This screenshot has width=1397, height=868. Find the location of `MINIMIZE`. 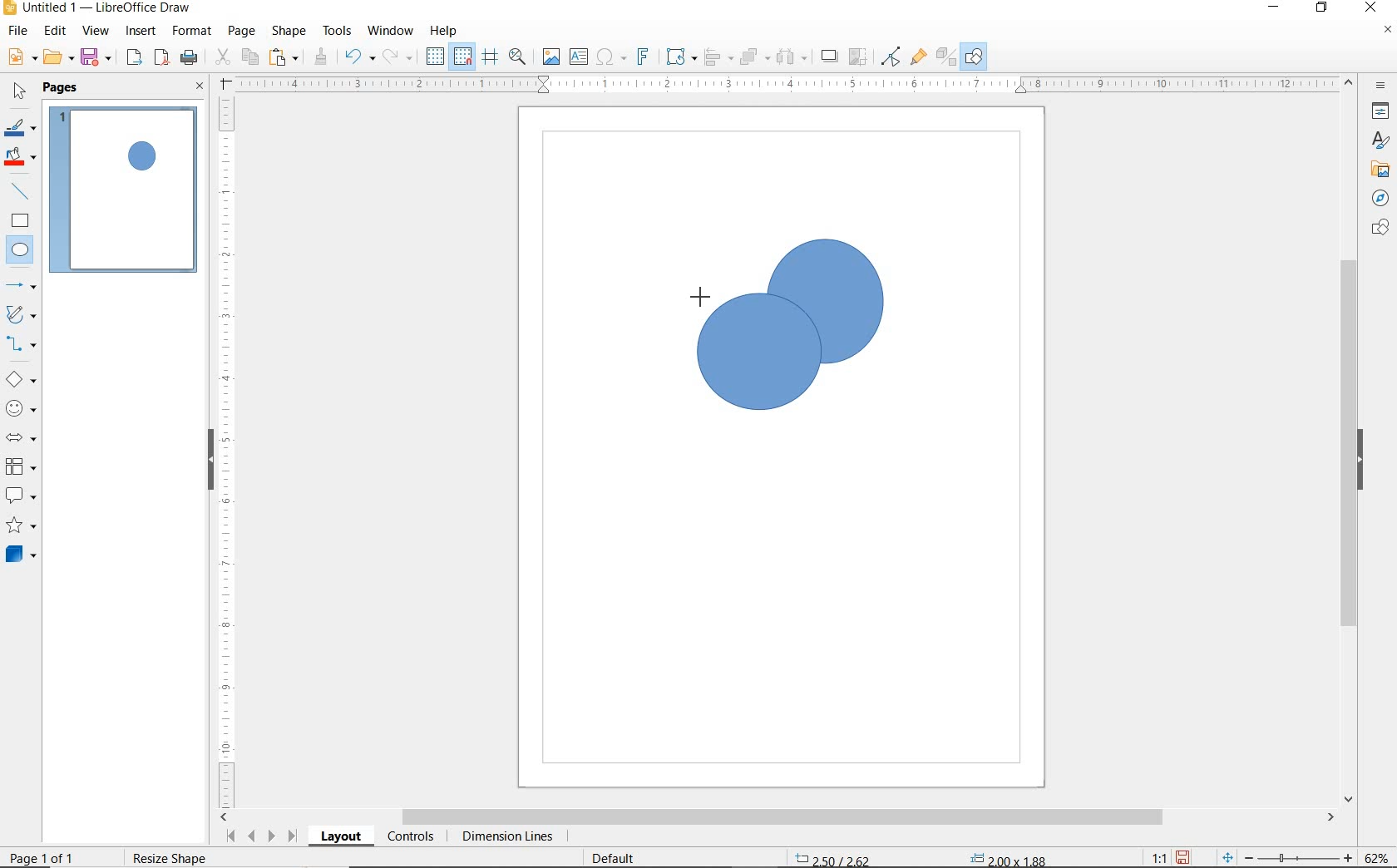

MINIMIZE is located at coordinates (1276, 8).